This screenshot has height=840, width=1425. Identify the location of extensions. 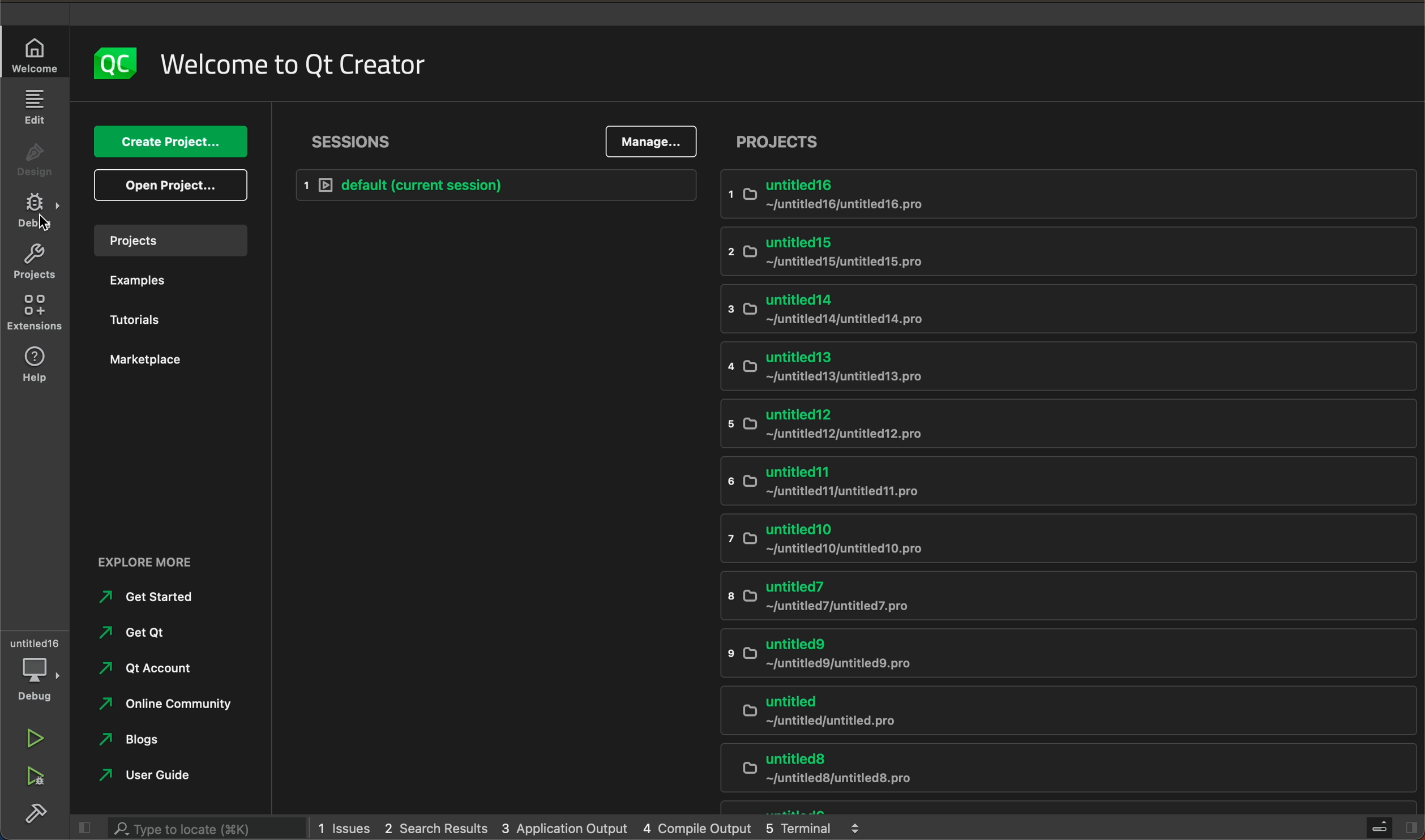
(34, 312).